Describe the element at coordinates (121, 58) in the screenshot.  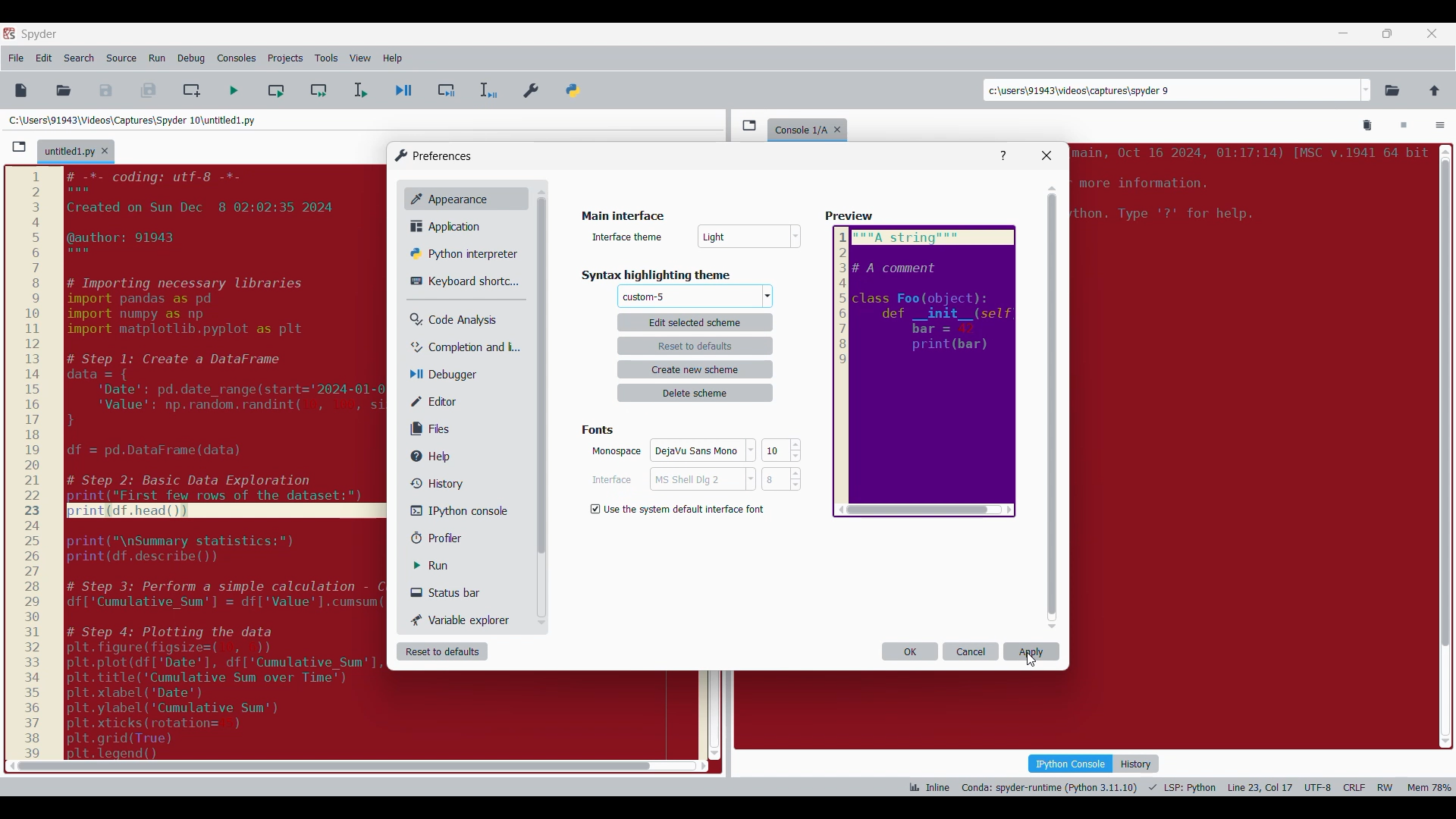
I see `Source menu` at that location.